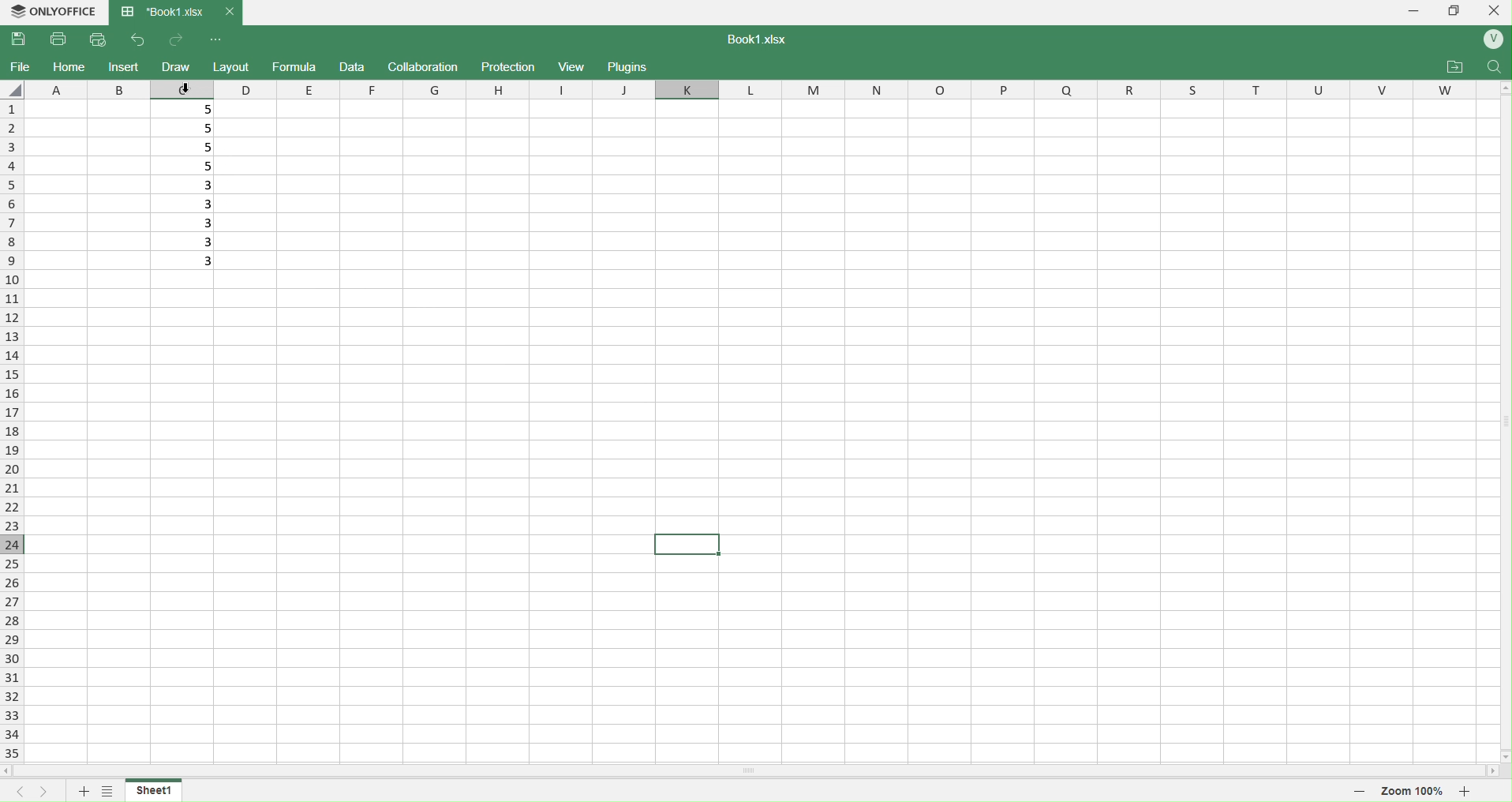  Describe the element at coordinates (188, 148) in the screenshot. I see `5` at that location.